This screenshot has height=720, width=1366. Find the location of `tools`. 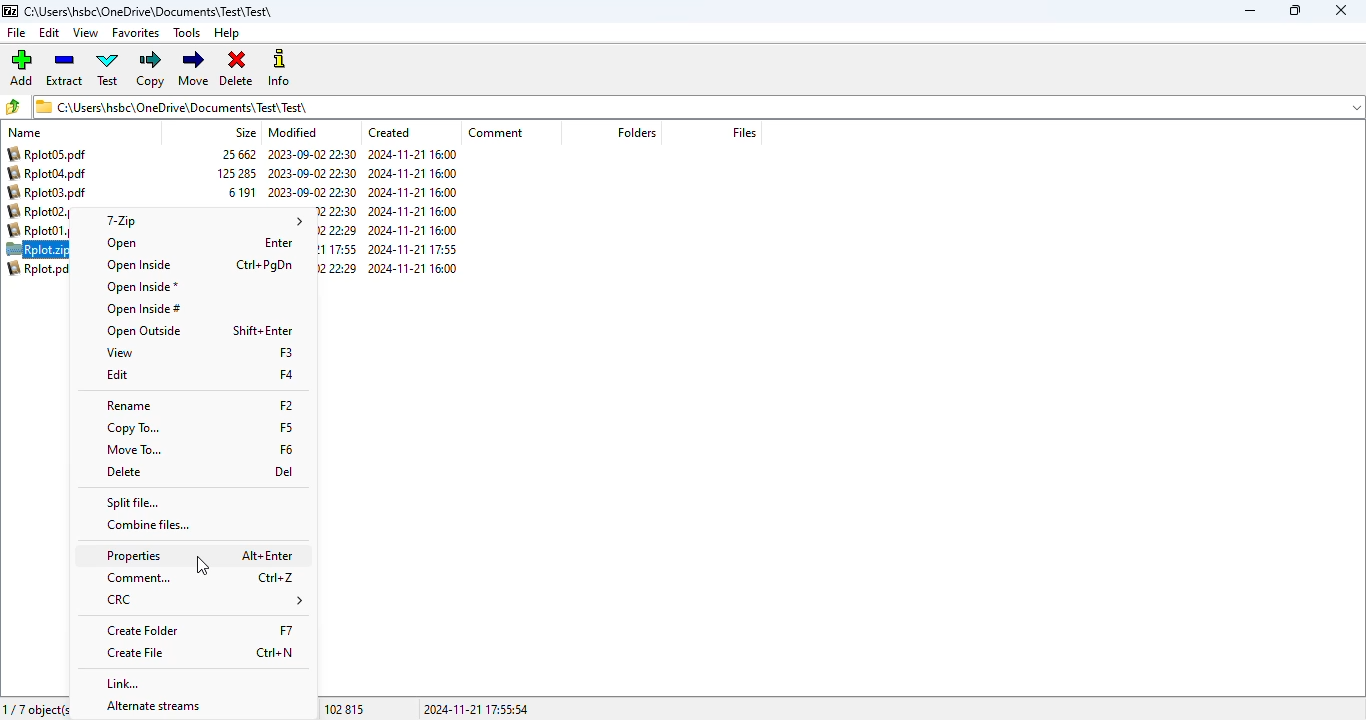

tools is located at coordinates (187, 32).